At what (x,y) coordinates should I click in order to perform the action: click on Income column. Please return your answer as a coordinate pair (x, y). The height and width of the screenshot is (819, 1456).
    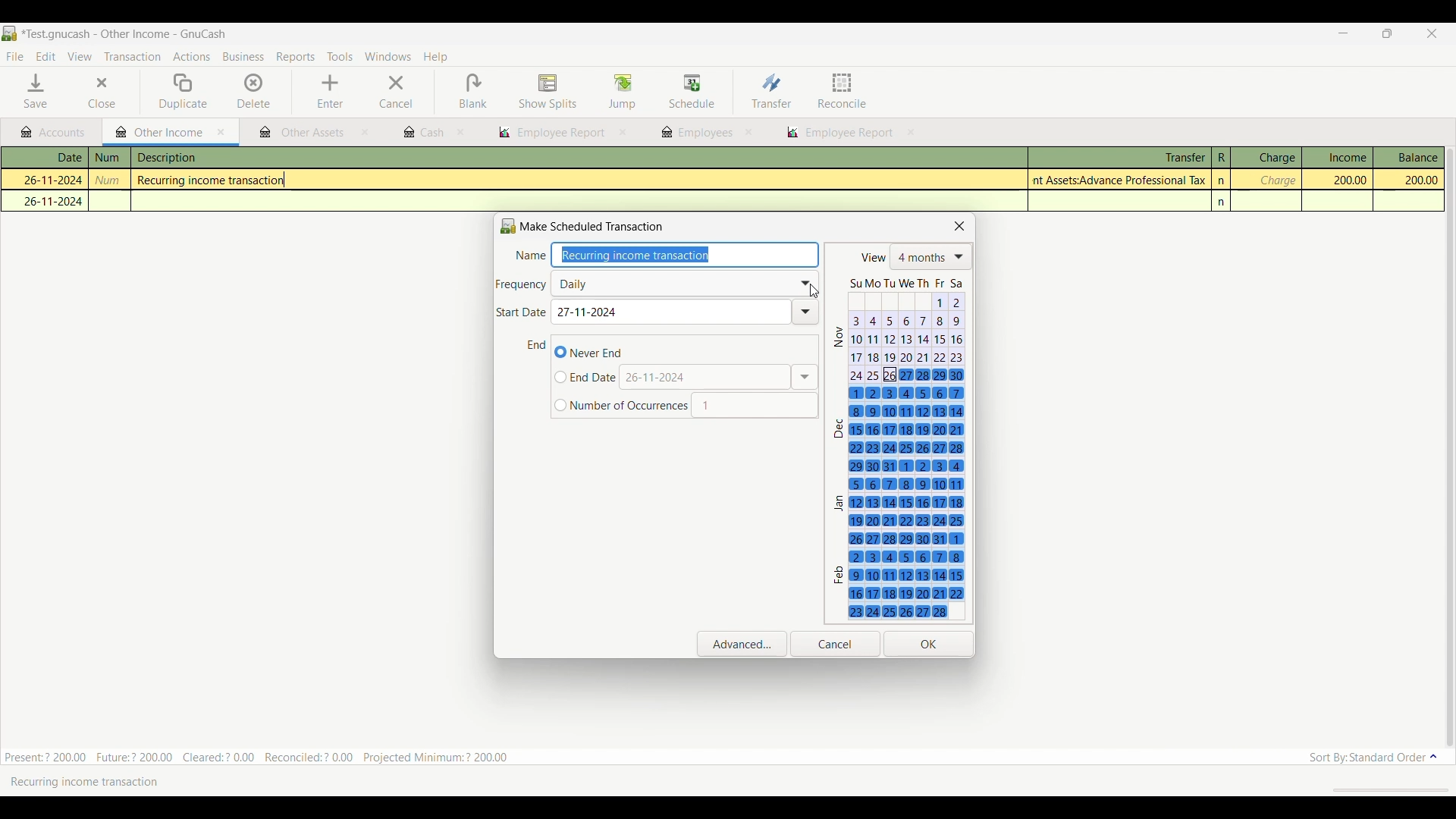
    Looking at the image, I should click on (1337, 157).